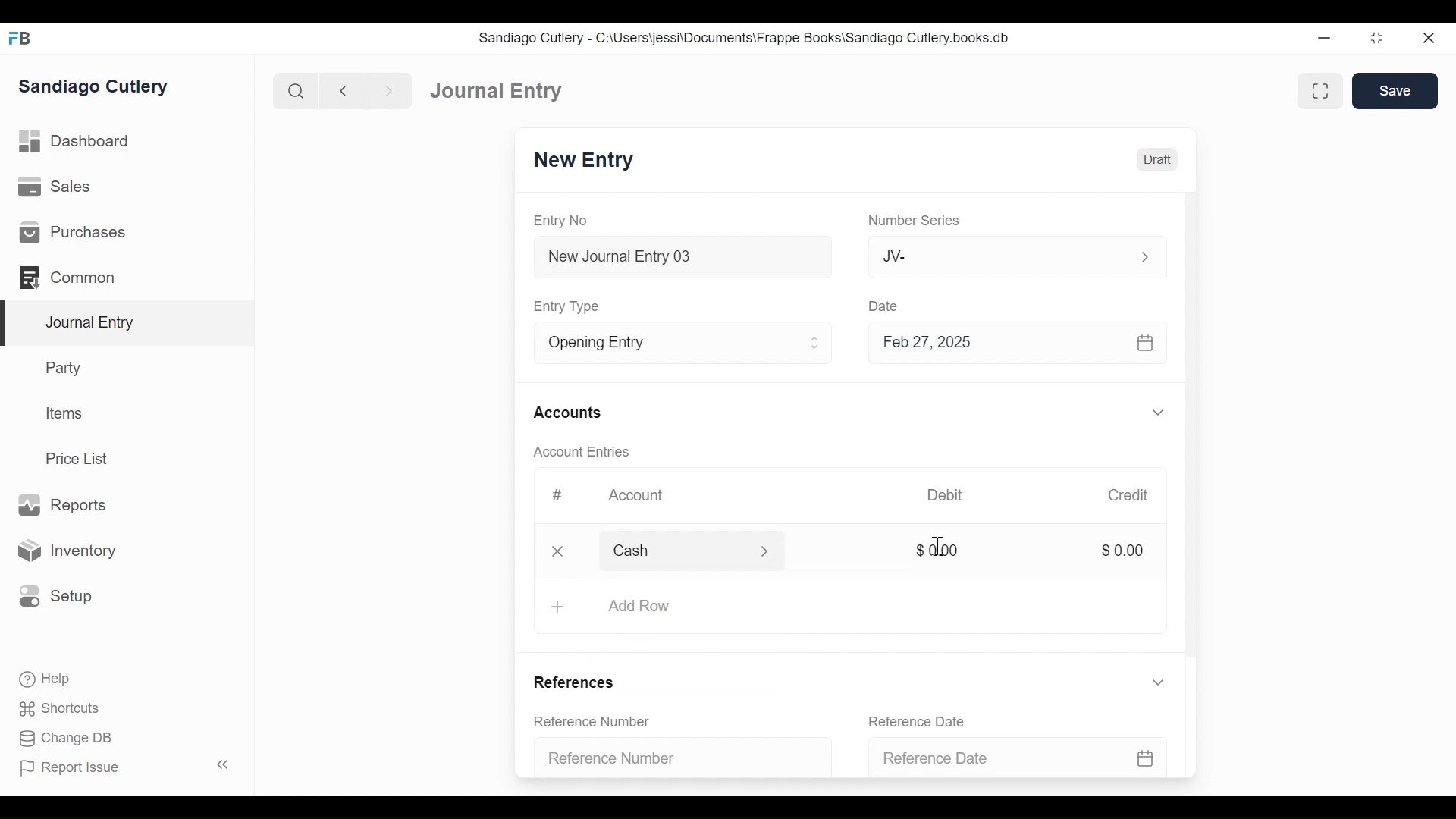  What do you see at coordinates (1159, 681) in the screenshot?
I see `Expand` at bounding box center [1159, 681].